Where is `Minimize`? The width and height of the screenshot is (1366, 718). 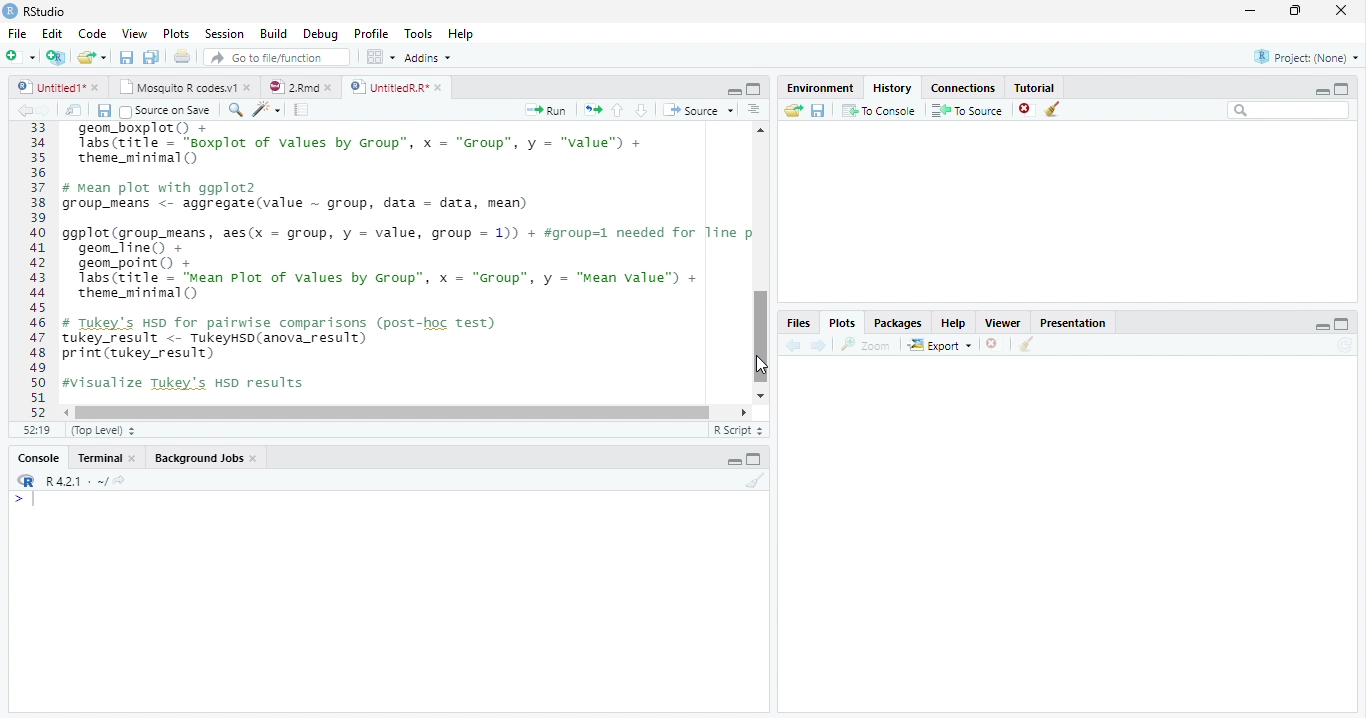 Minimize is located at coordinates (1319, 91).